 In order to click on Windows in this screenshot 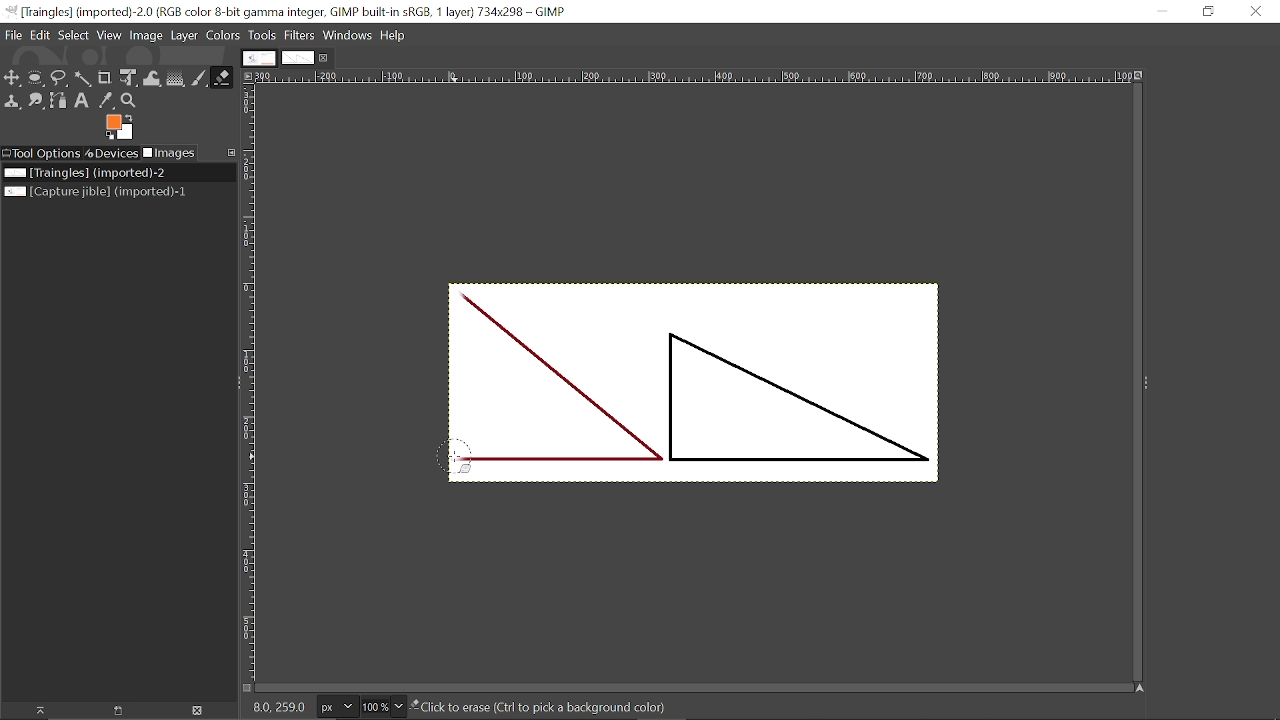, I will do `click(347, 35)`.